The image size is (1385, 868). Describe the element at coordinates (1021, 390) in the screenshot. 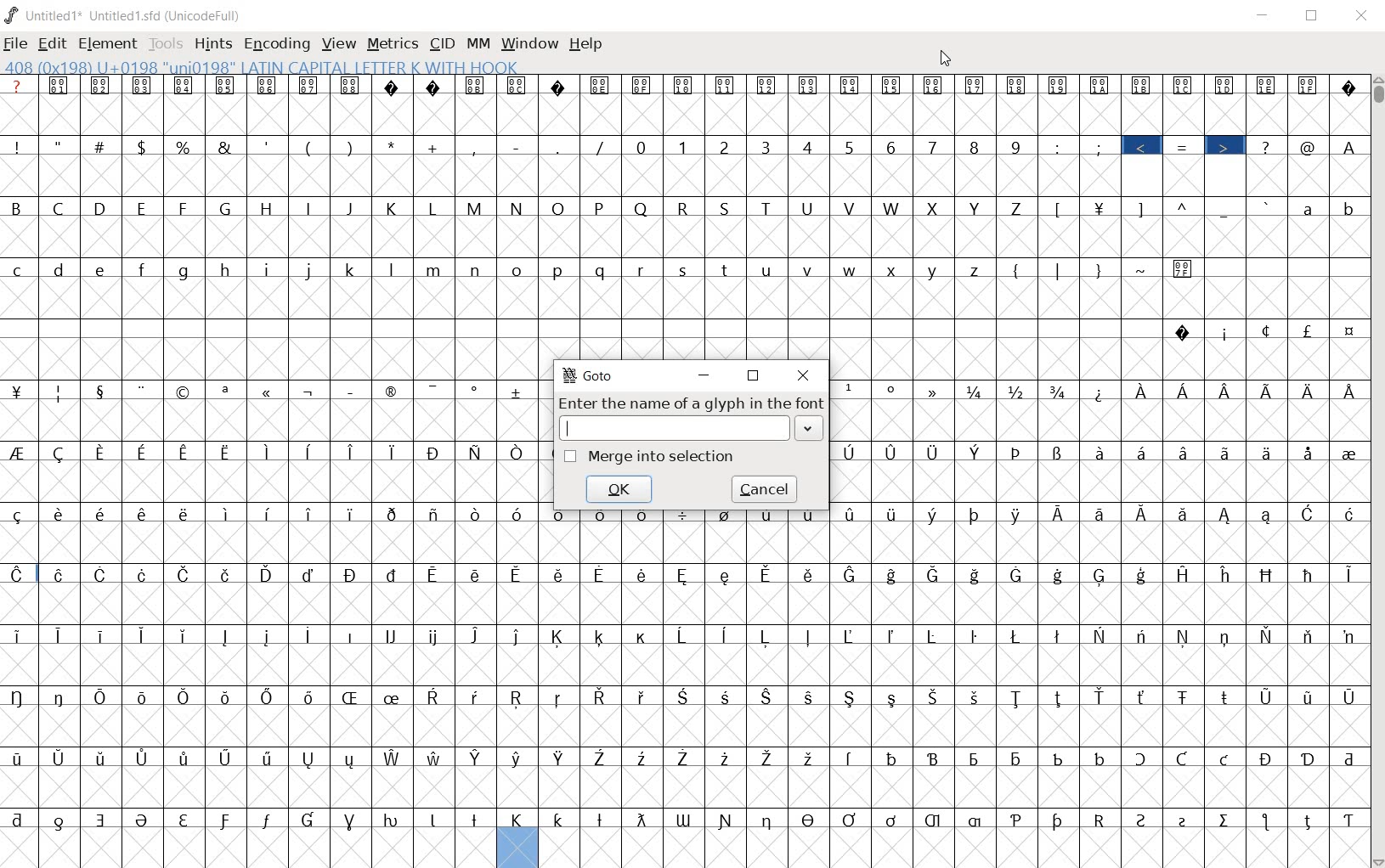

I see `fractions` at that location.